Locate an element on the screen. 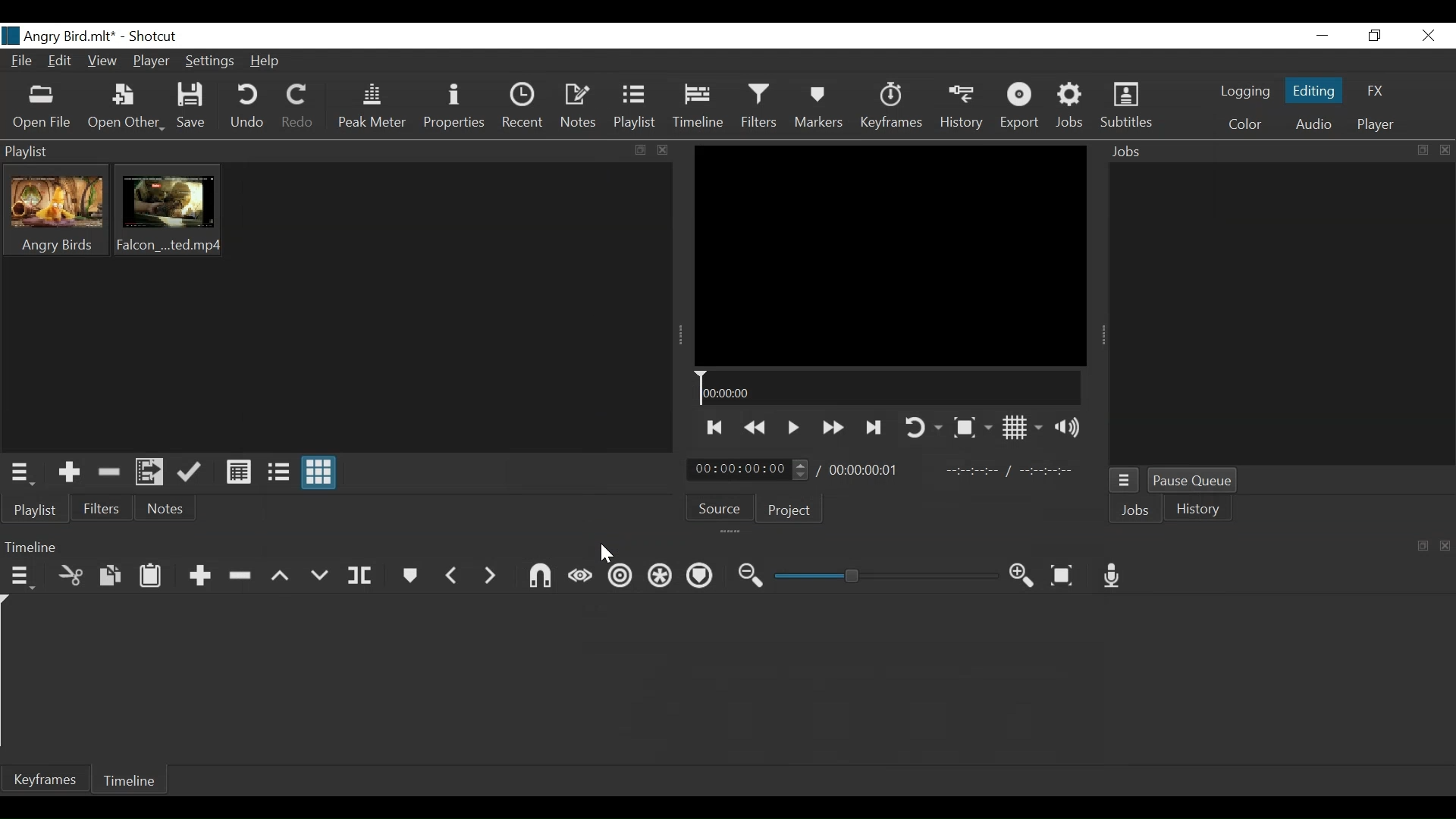 The width and height of the screenshot is (1456, 819). Play quickly forward is located at coordinates (830, 428).